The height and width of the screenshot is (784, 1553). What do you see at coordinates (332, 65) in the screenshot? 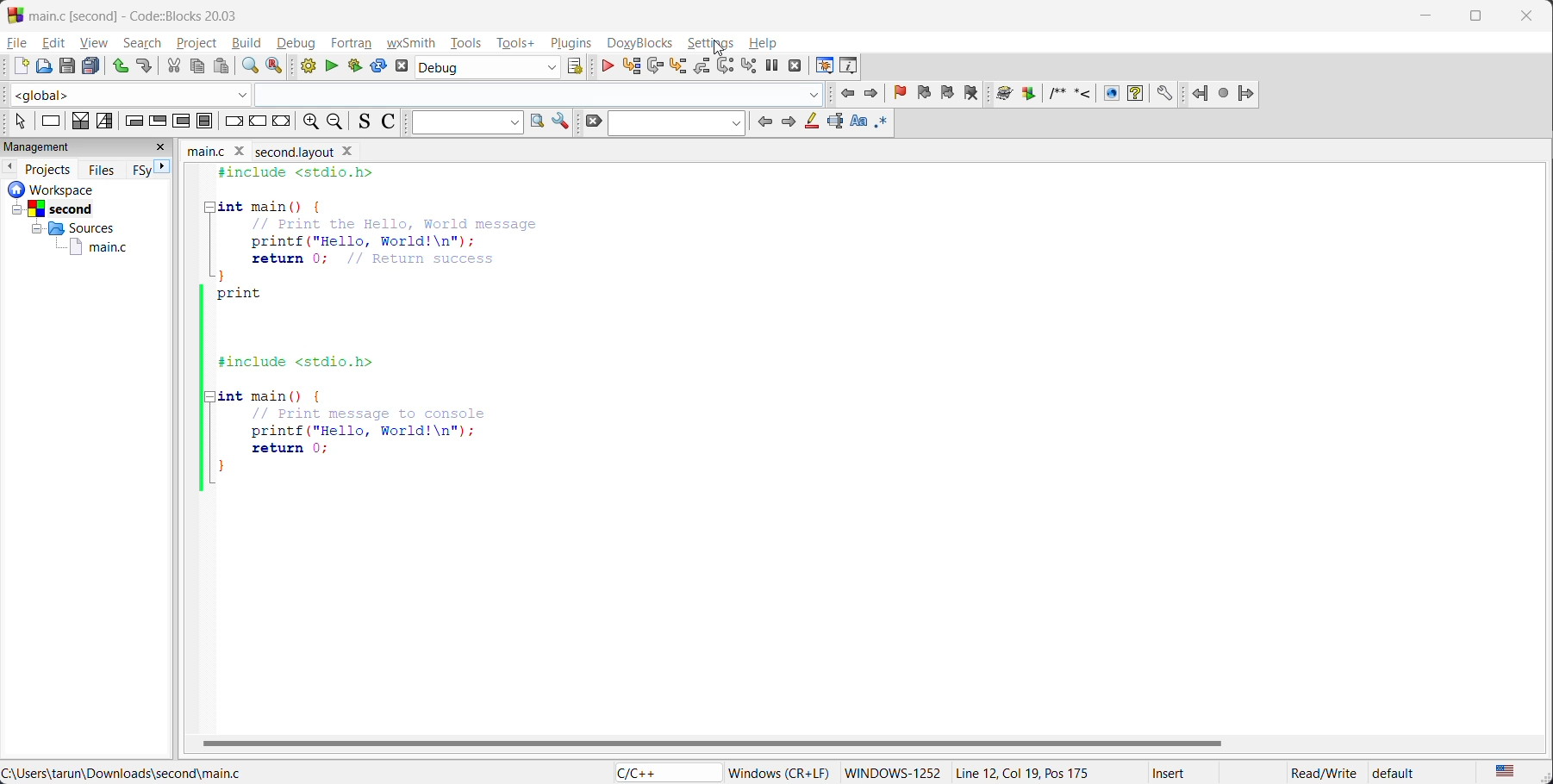
I see `run` at bounding box center [332, 65].